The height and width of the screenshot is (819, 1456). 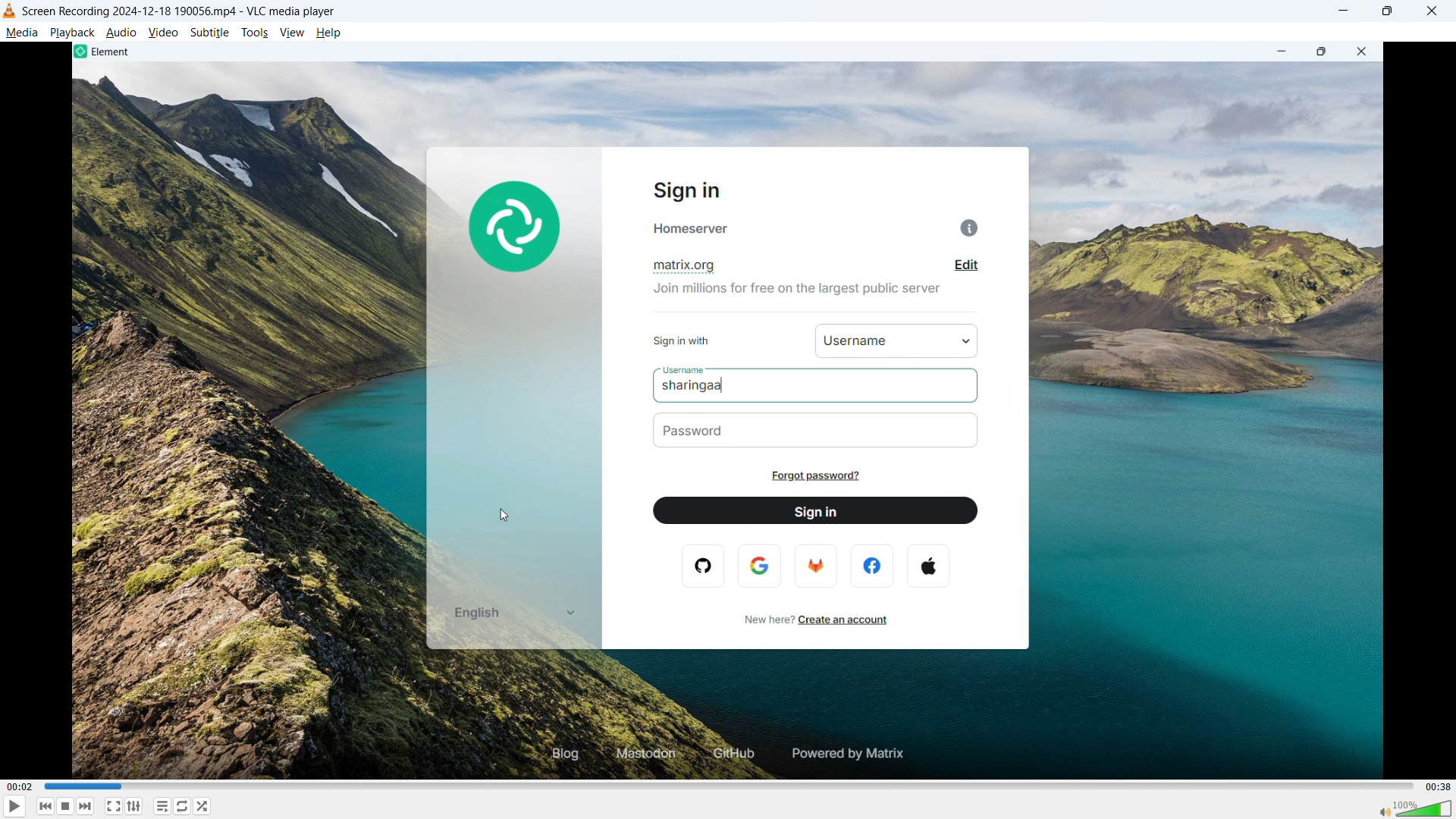 I want to click on Facebook, so click(x=871, y=565).